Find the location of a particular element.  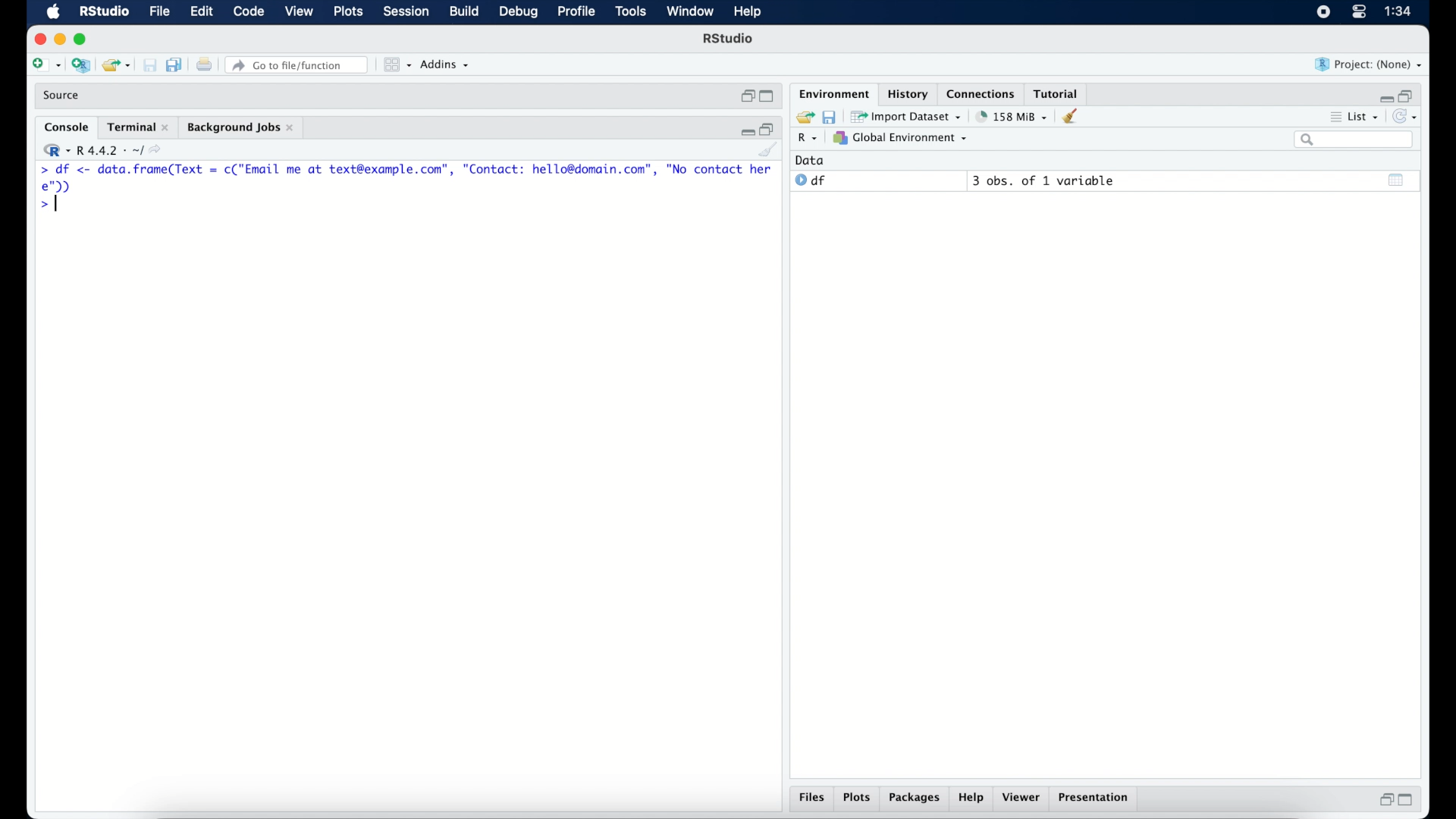

restore down is located at coordinates (1385, 802).